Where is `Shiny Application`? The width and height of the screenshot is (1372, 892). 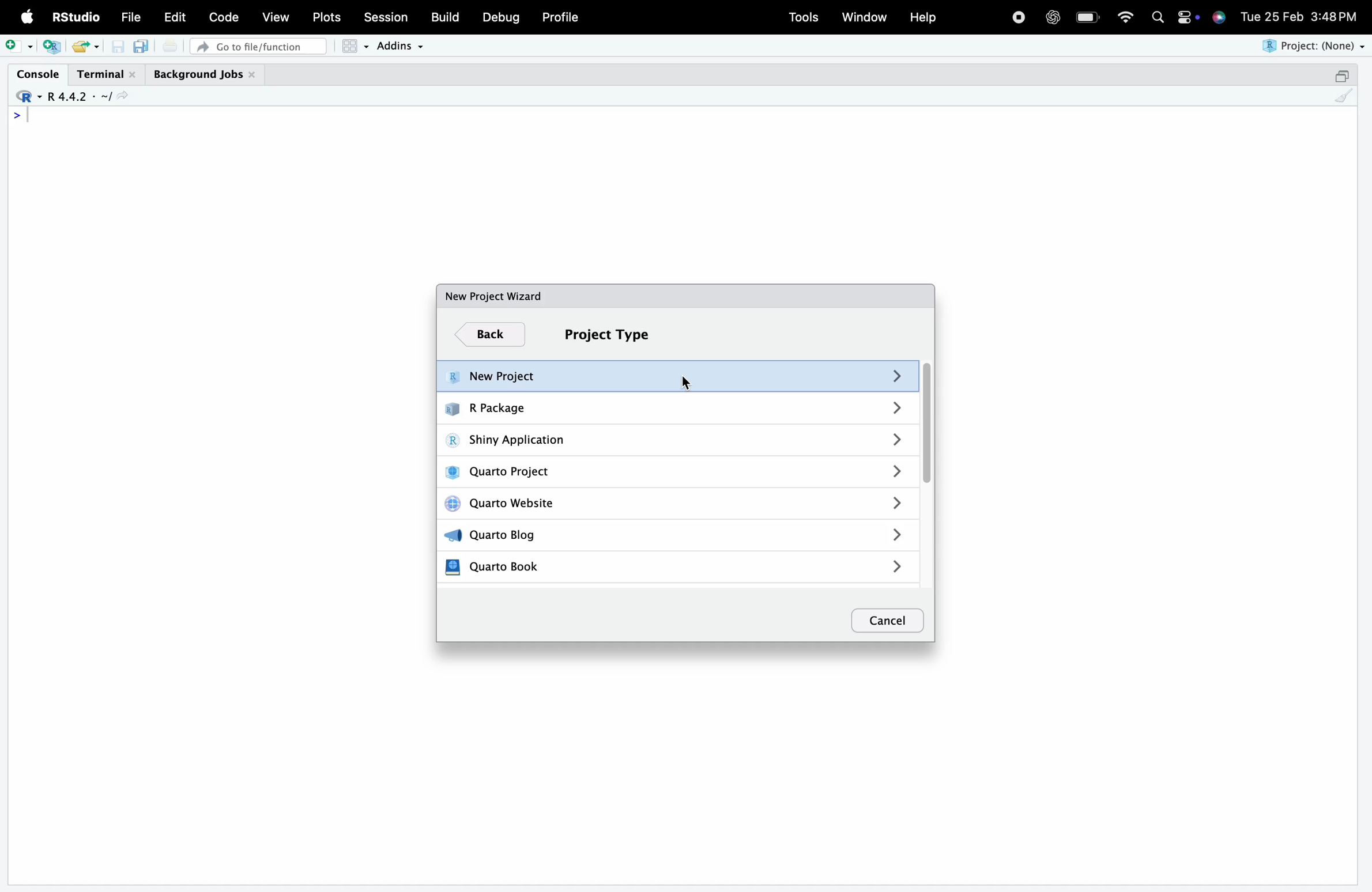
Shiny Application is located at coordinates (678, 441).